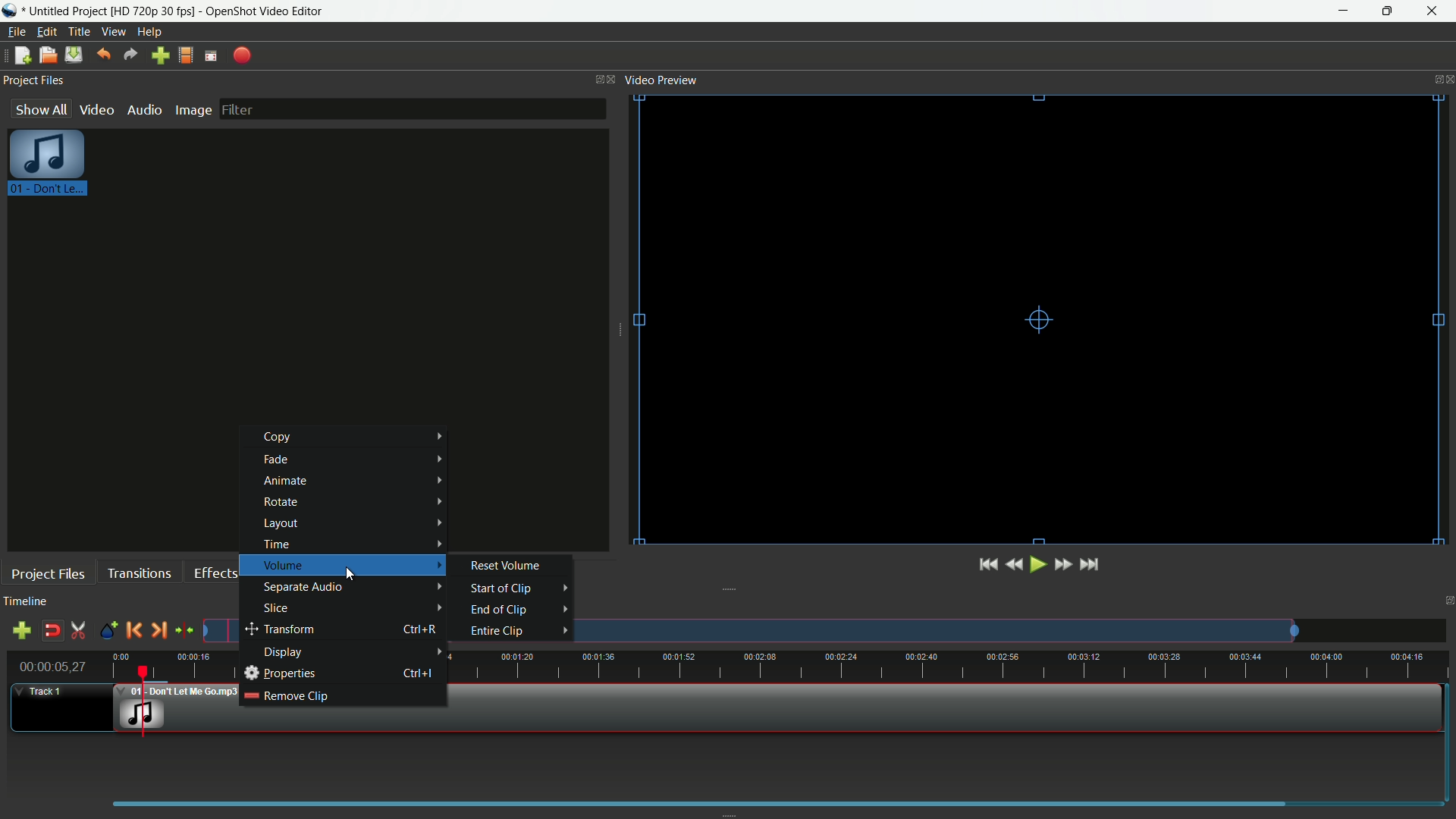  What do you see at coordinates (52, 667) in the screenshot?
I see `current time` at bounding box center [52, 667].